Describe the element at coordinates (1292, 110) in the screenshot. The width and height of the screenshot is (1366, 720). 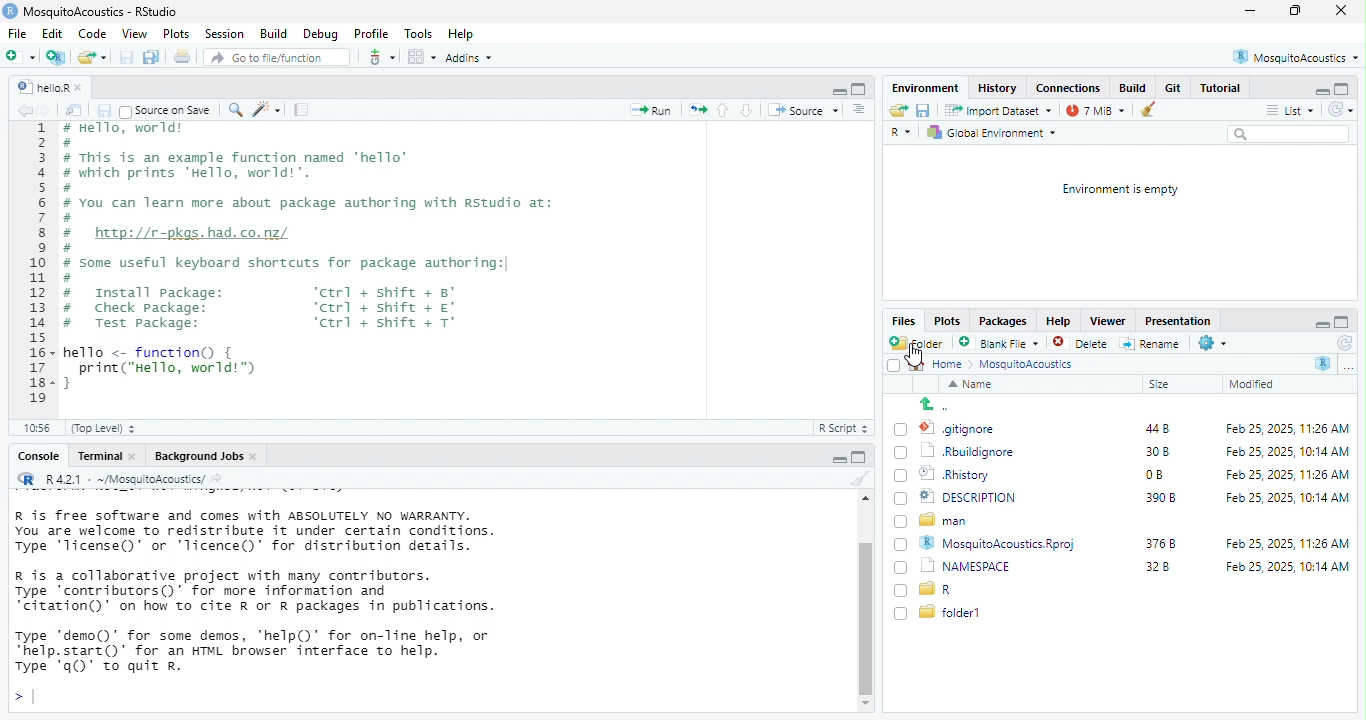
I see ` list` at that location.